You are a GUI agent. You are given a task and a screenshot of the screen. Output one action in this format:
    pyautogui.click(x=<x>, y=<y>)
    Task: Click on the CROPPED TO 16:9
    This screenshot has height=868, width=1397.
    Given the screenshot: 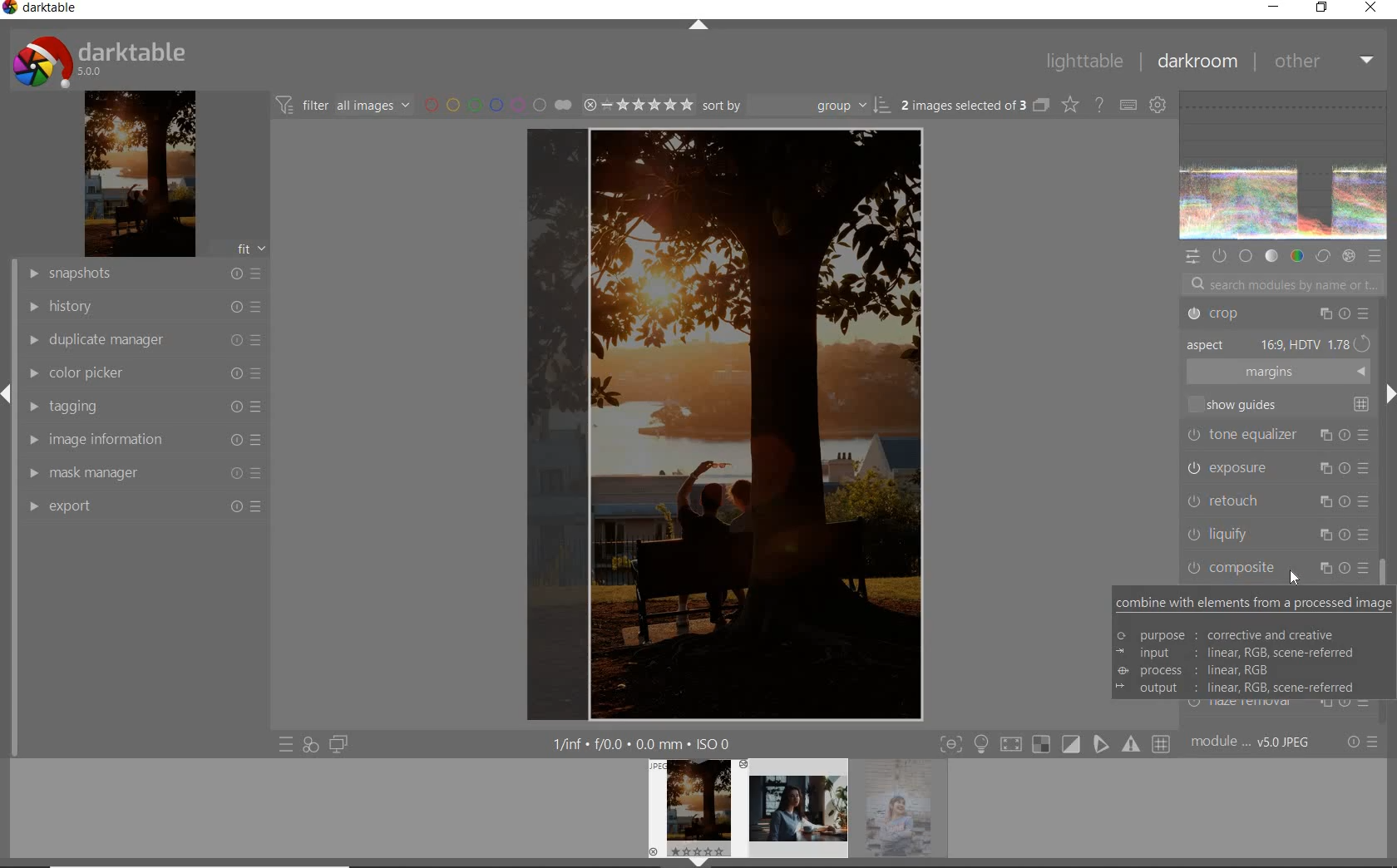 What is the action you would take?
    pyautogui.click(x=755, y=428)
    